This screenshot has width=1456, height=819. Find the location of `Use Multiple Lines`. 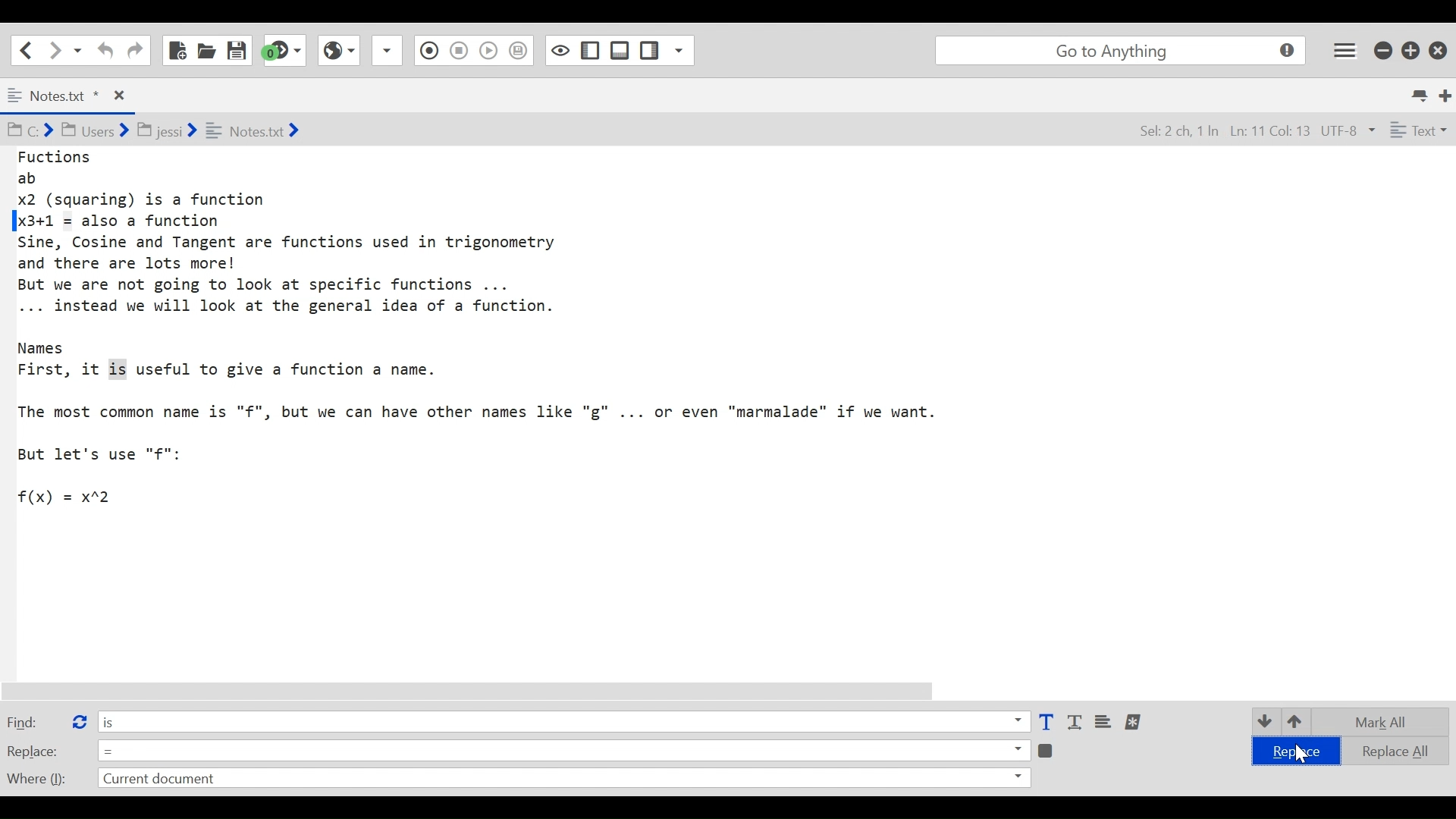

Use Multiple Lines is located at coordinates (1105, 723).